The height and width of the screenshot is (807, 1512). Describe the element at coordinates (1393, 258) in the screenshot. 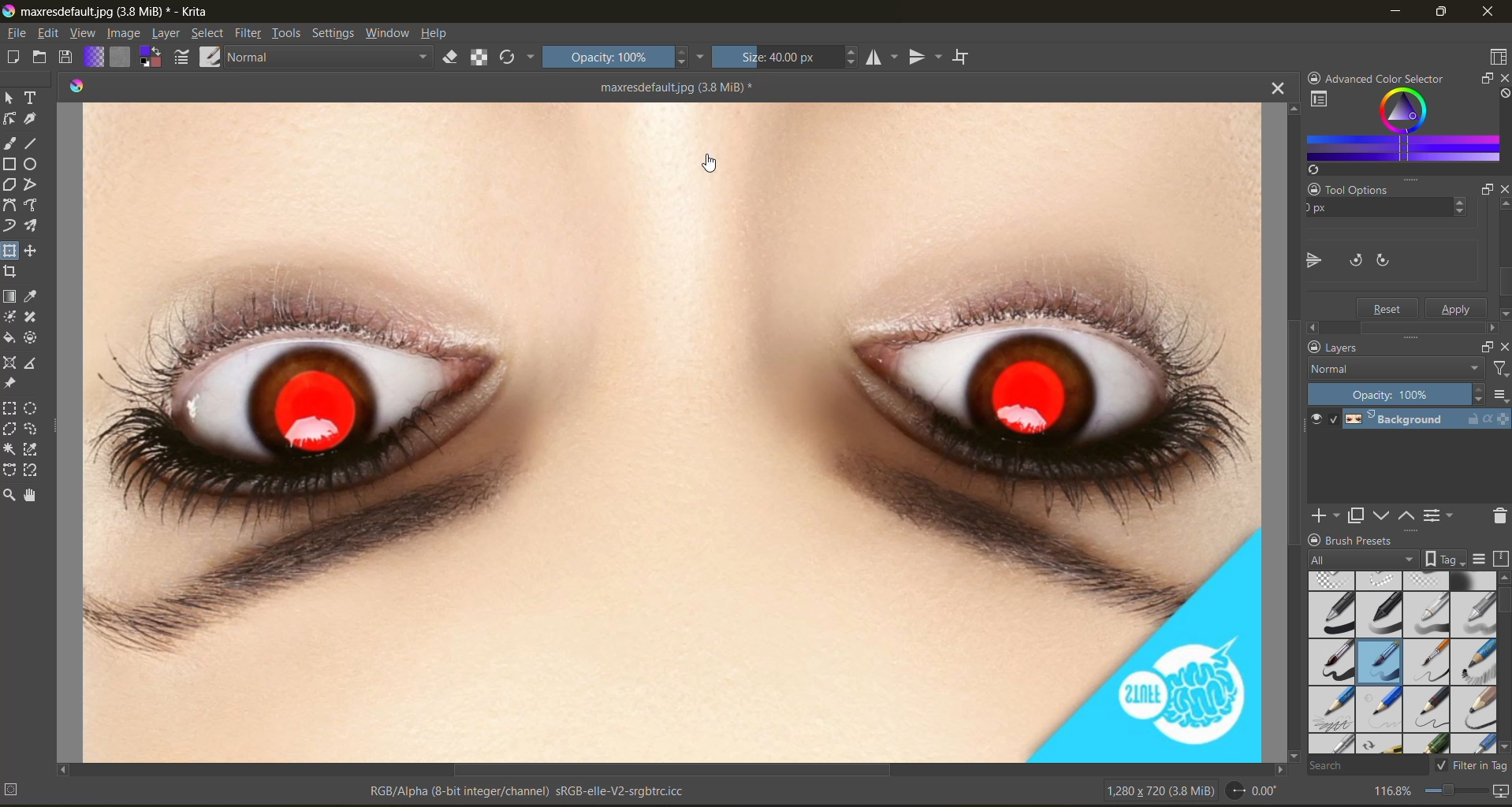

I see `rotate counter clockwise` at that location.